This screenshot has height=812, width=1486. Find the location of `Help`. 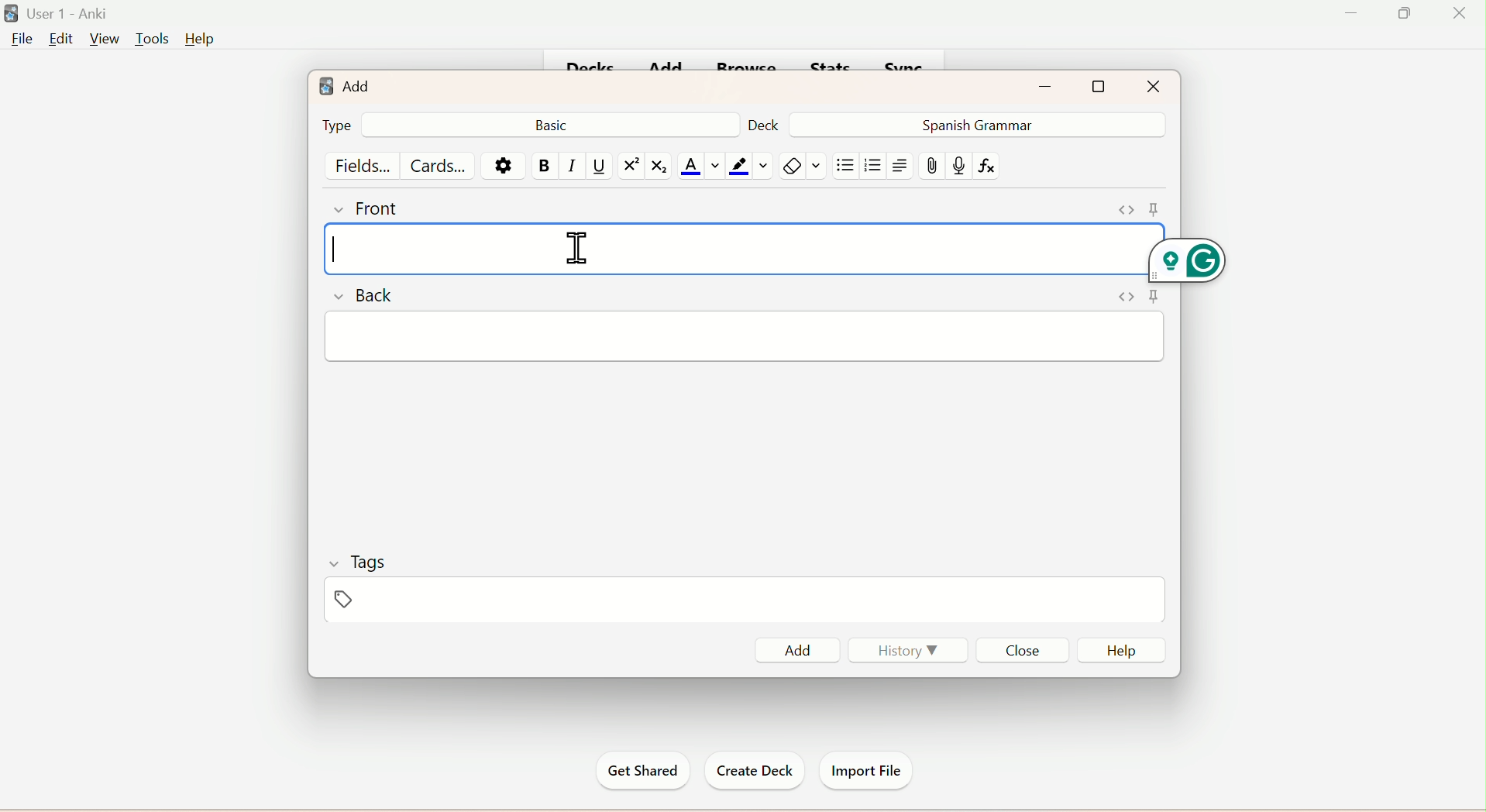

Help is located at coordinates (198, 40).